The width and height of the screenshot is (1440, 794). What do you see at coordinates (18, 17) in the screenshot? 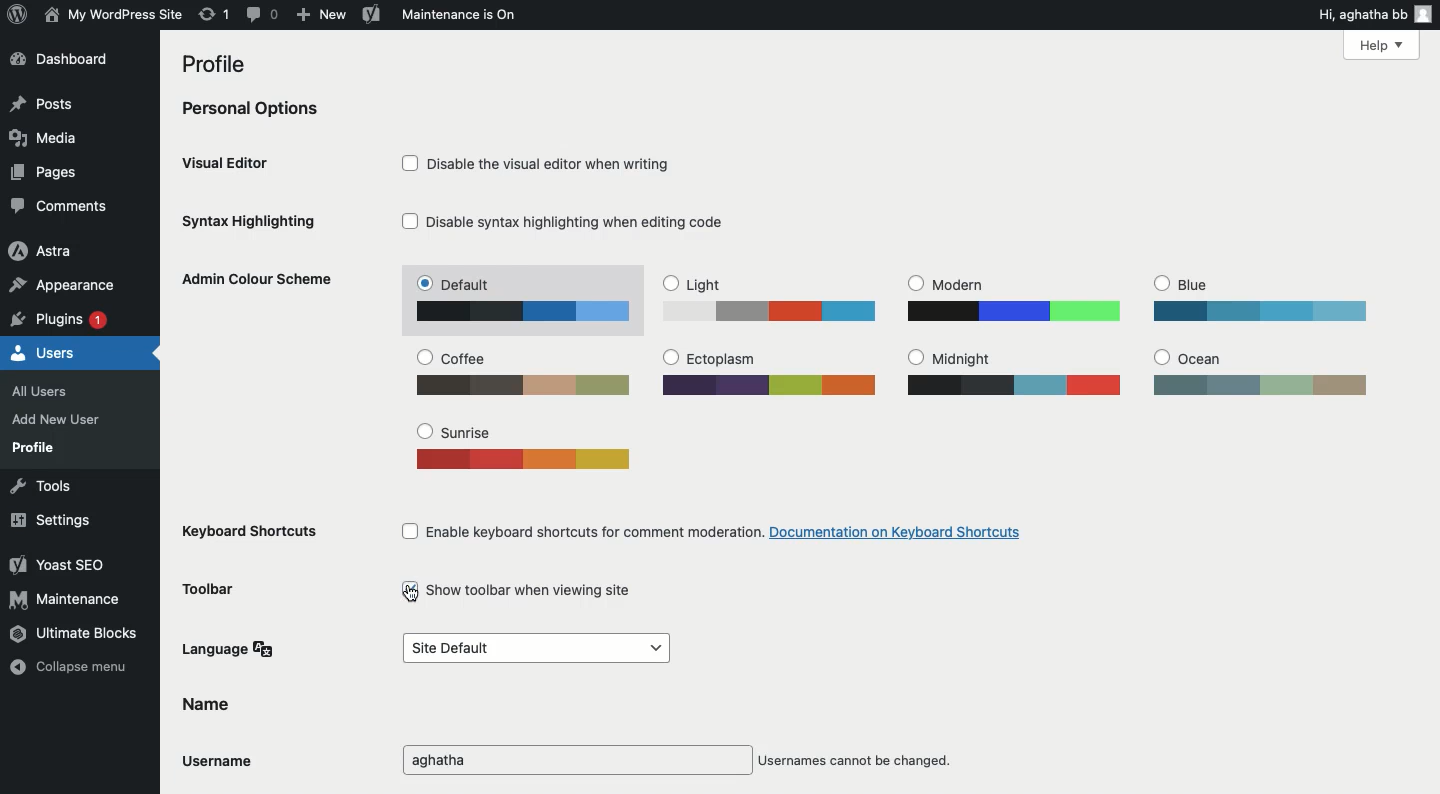
I see `Logo` at bounding box center [18, 17].